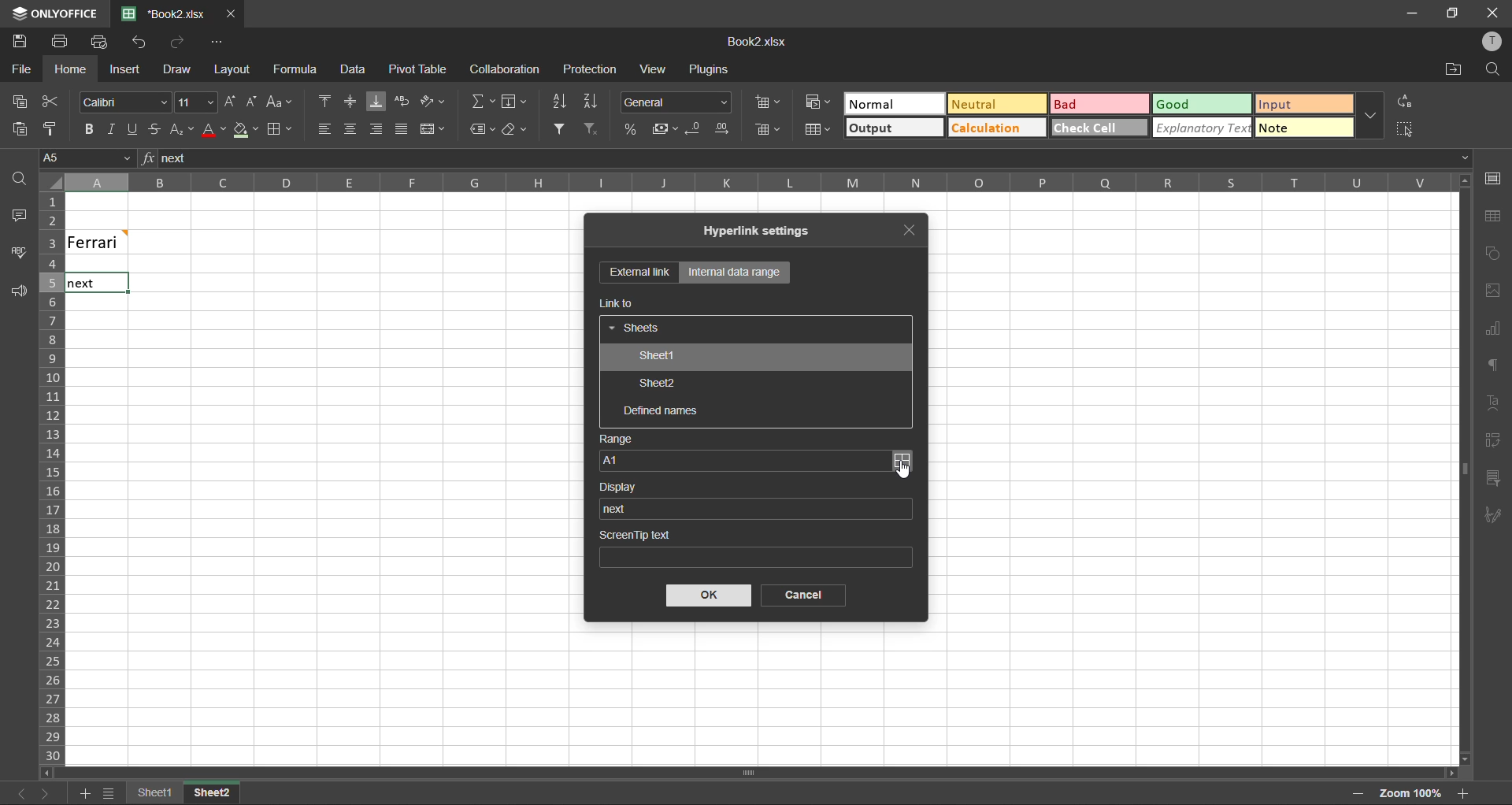 This screenshot has width=1512, height=805. I want to click on signature, so click(1490, 518).